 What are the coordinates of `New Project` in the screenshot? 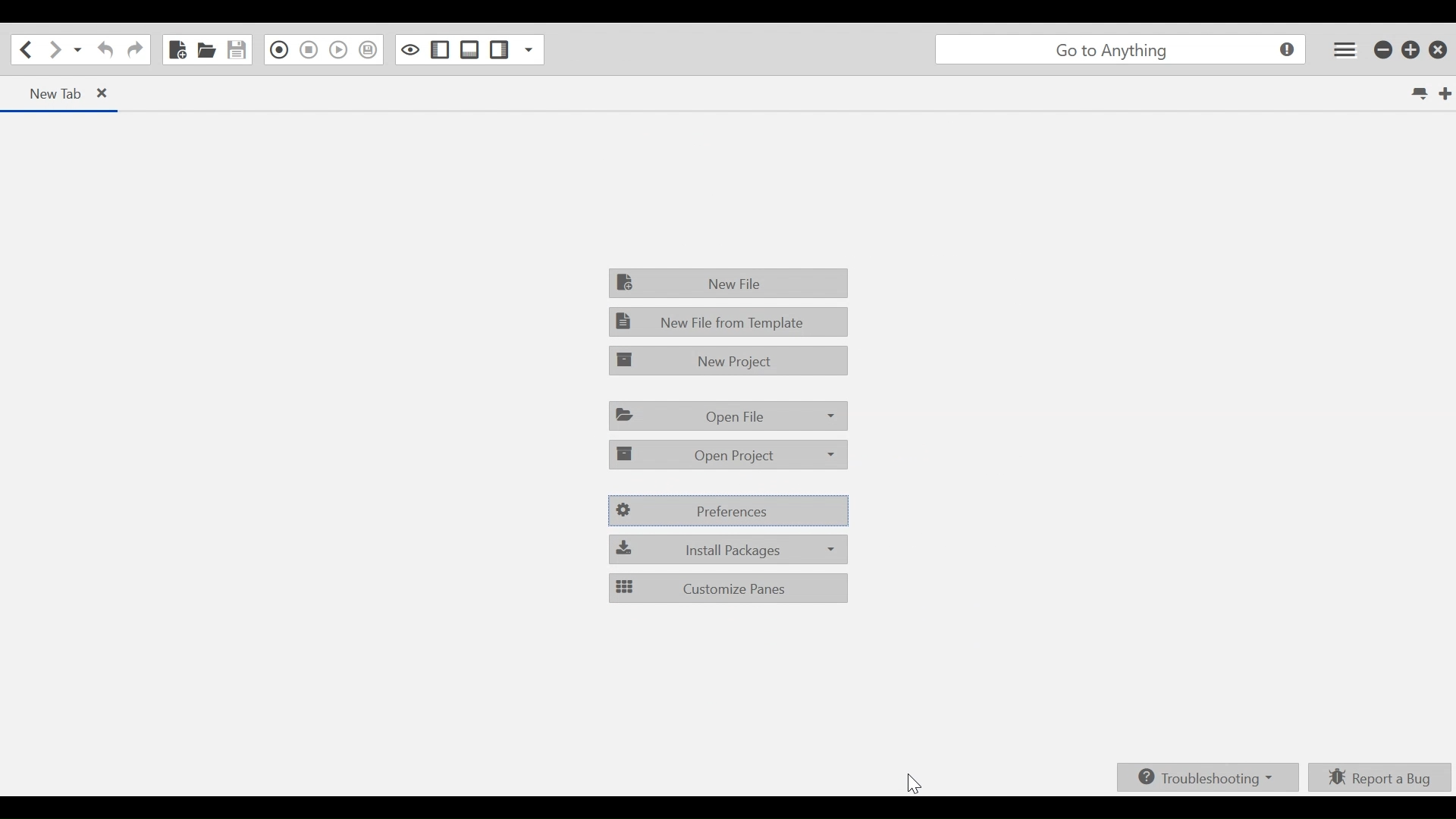 It's located at (729, 359).